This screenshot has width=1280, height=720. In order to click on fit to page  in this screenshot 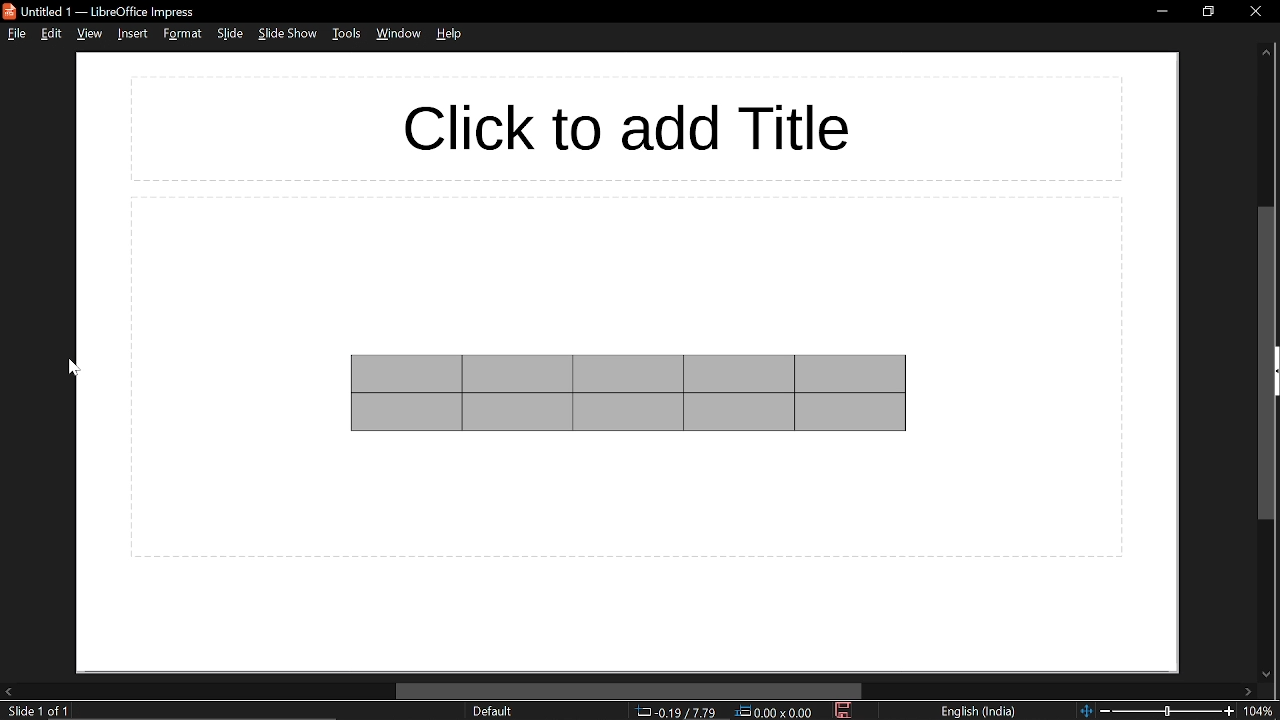, I will do `click(1086, 709)`.